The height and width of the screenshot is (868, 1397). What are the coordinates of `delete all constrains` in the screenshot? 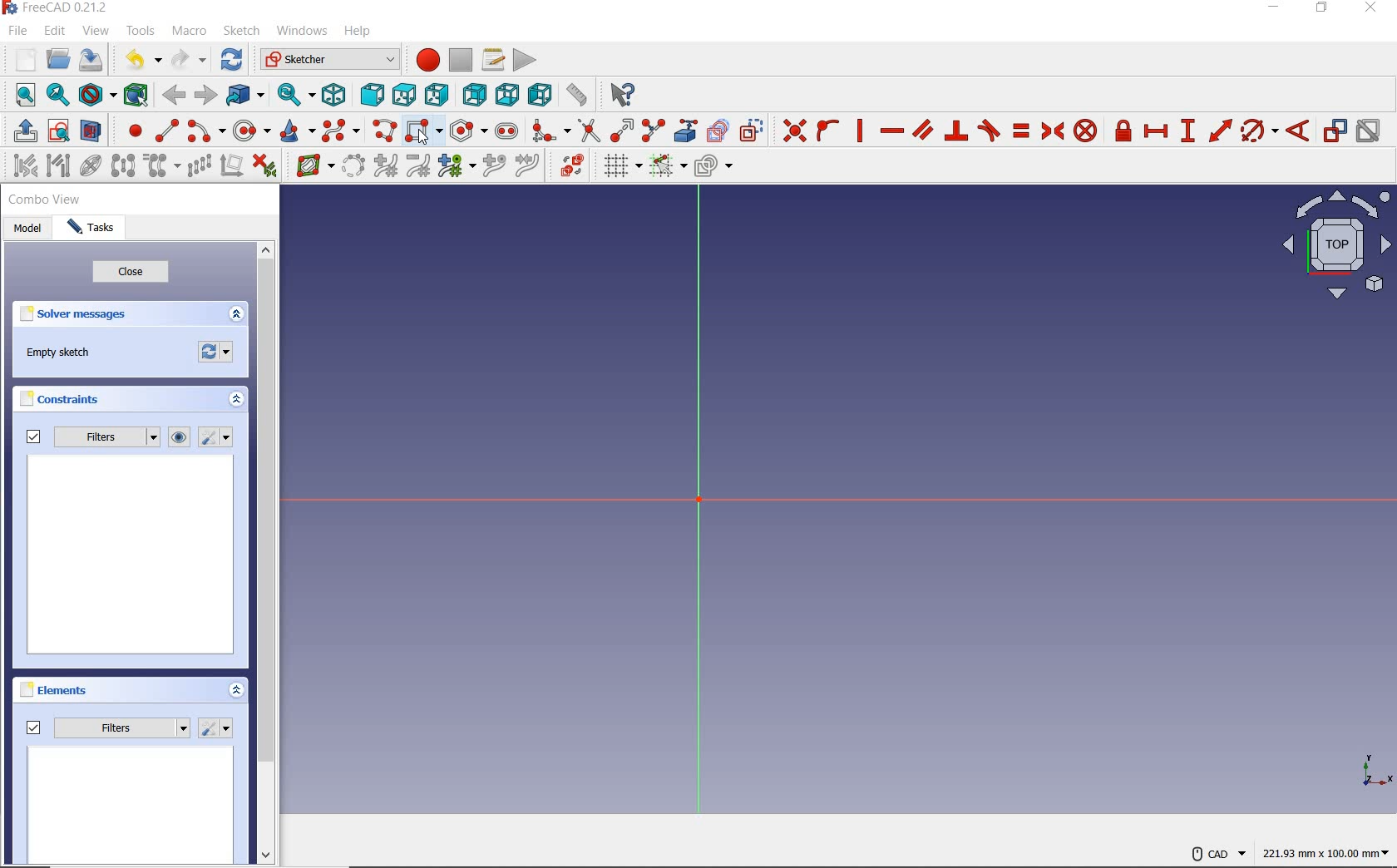 It's located at (265, 167).